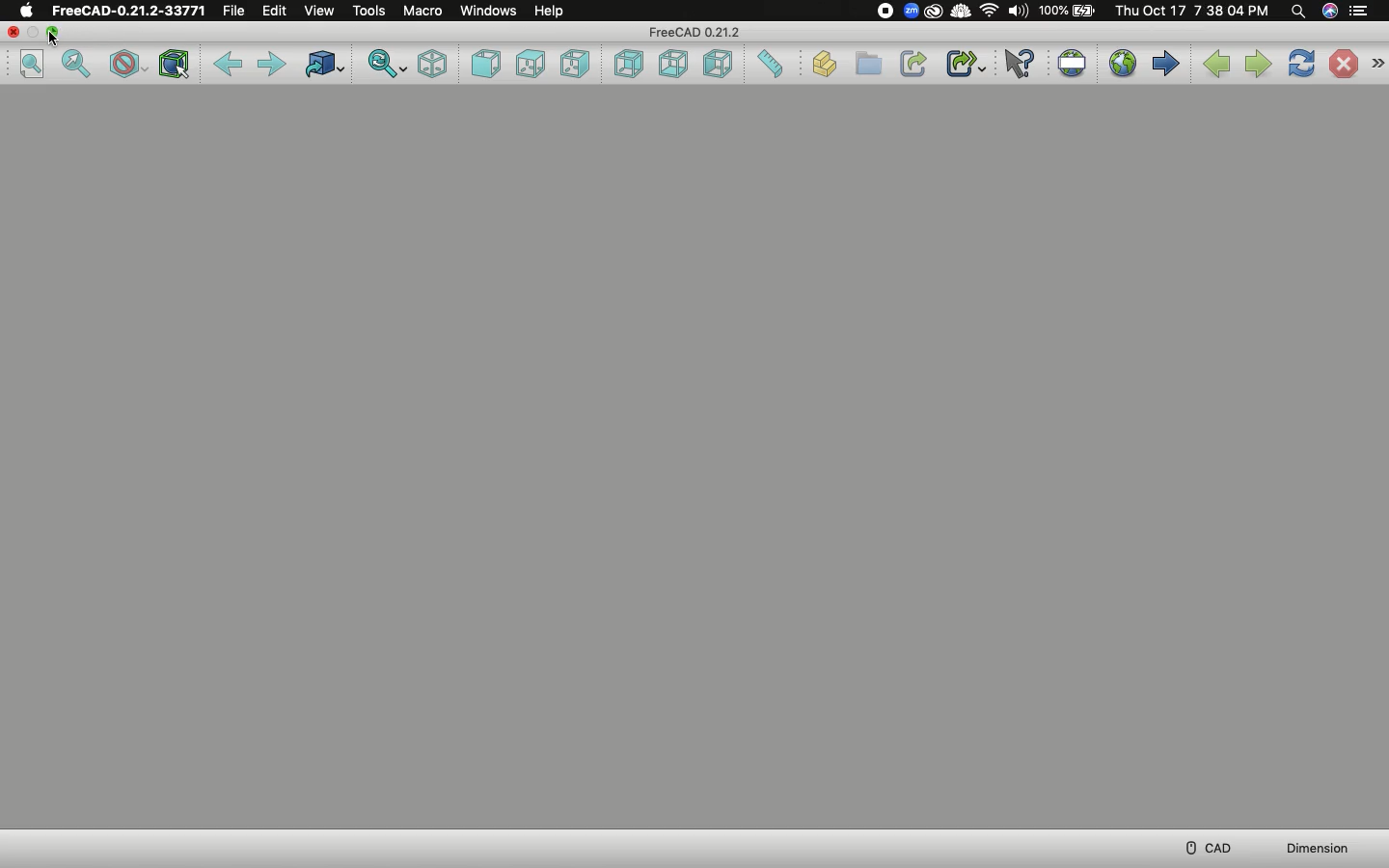  What do you see at coordinates (630, 62) in the screenshot?
I see `Rear` at bounding box center [630, 62].